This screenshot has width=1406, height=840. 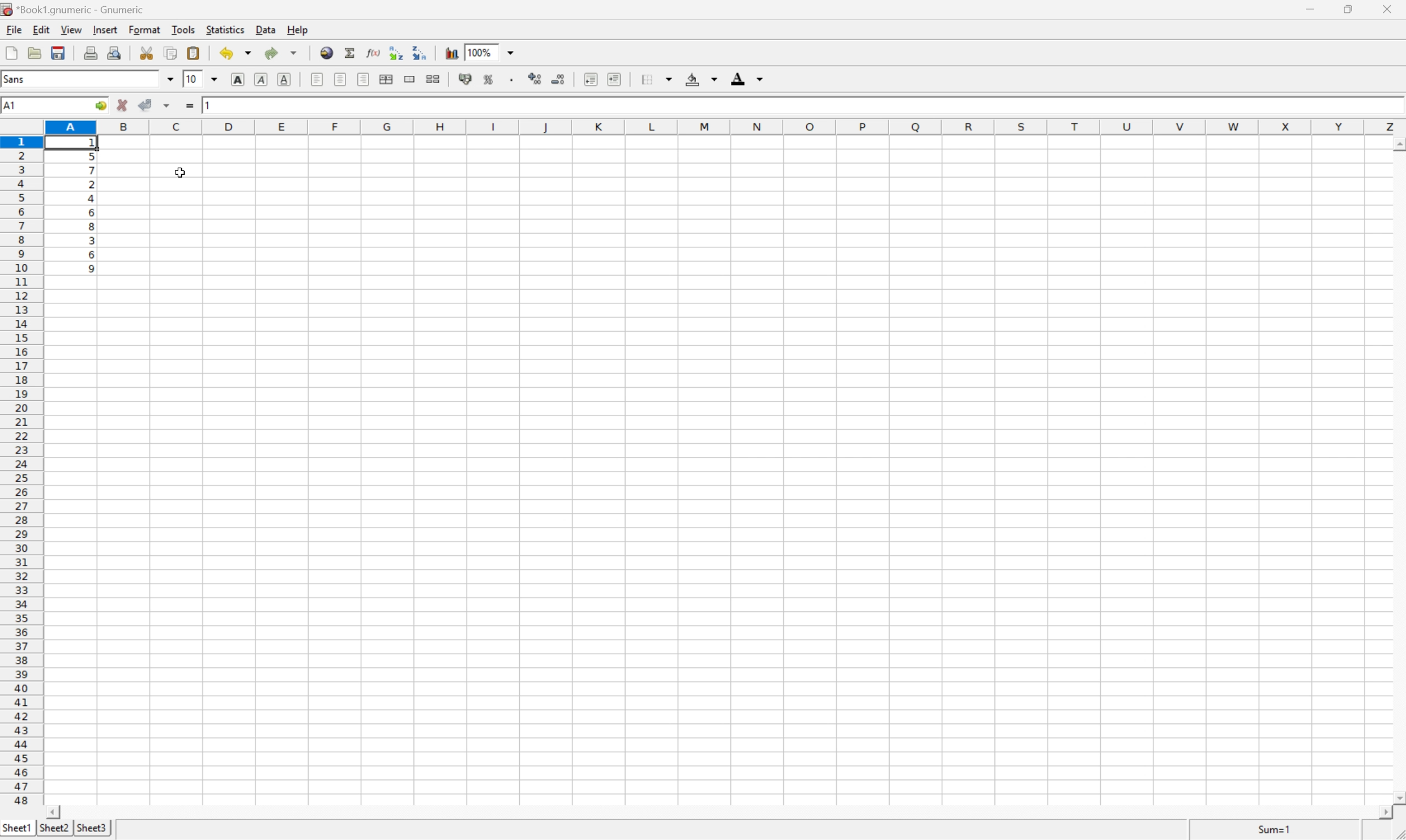 What do you see at coordinates (213, 106) in the screenshot?
I see `1` at bounding box center [213, 106].